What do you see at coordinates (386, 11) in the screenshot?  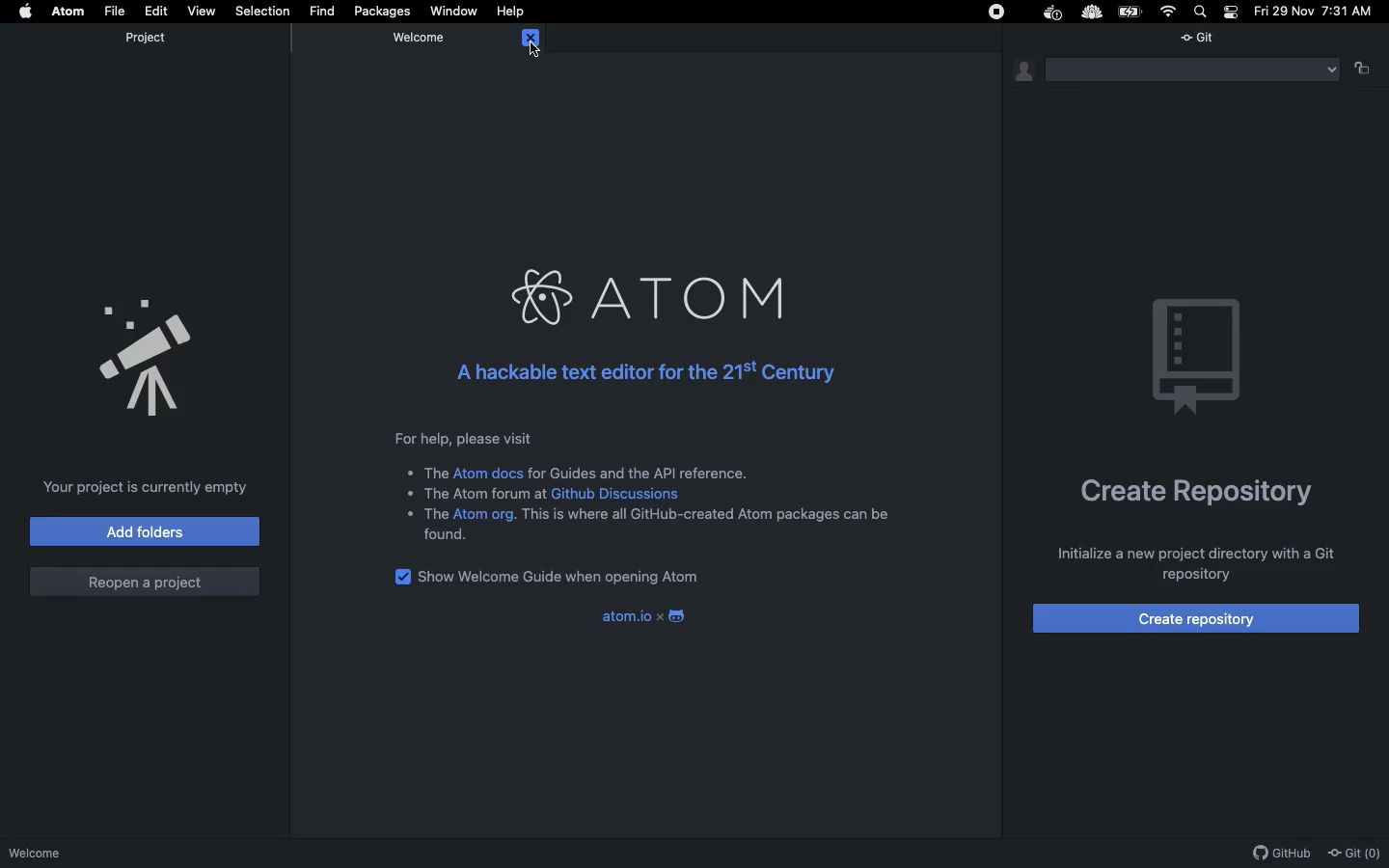 I see `Packages` at bounding box center [386, 11].